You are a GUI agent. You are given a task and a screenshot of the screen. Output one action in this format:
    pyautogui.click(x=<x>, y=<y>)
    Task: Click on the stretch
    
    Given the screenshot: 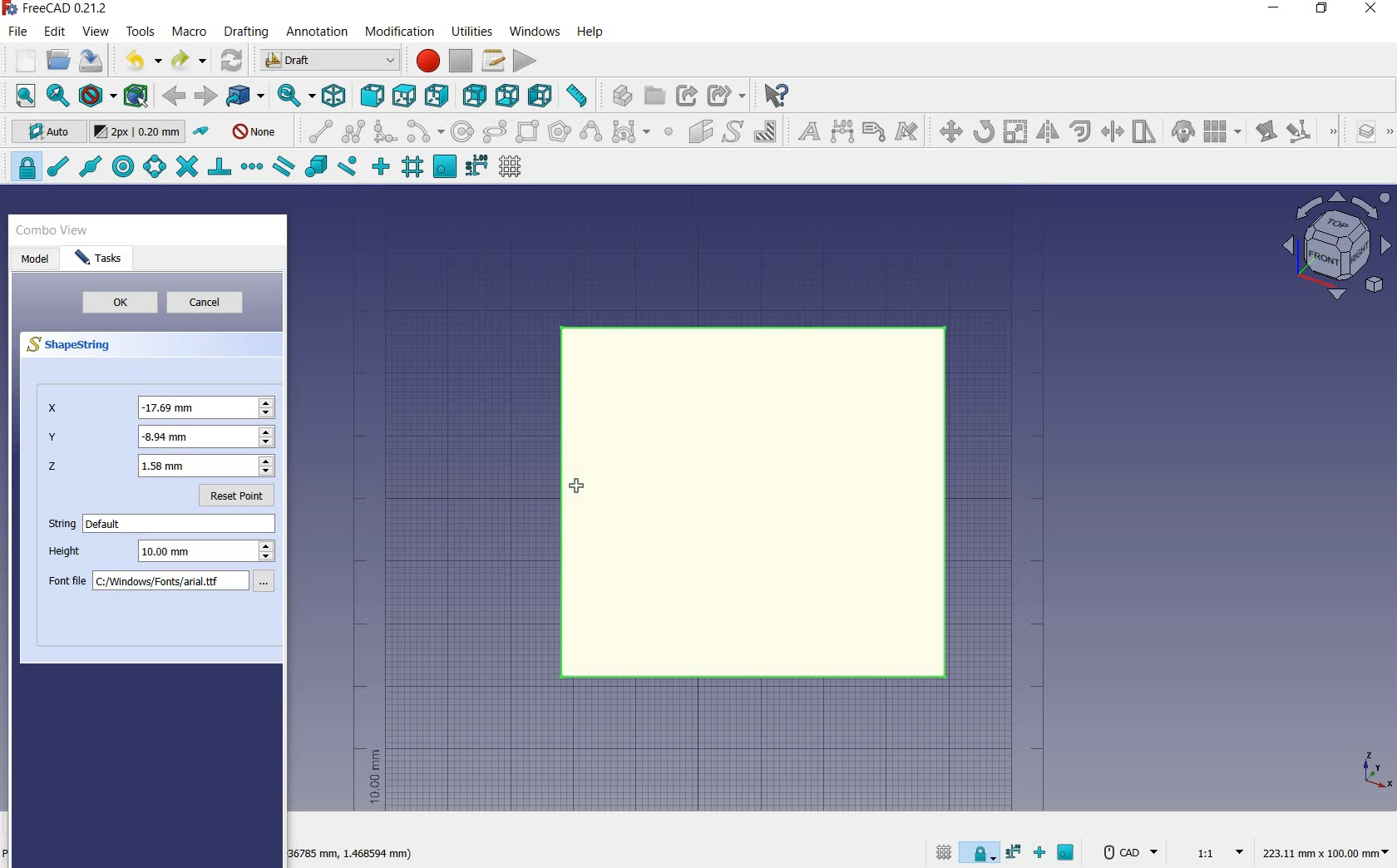 What is the action you would take?
    pyautogui.click(x=1145, y=133)
    